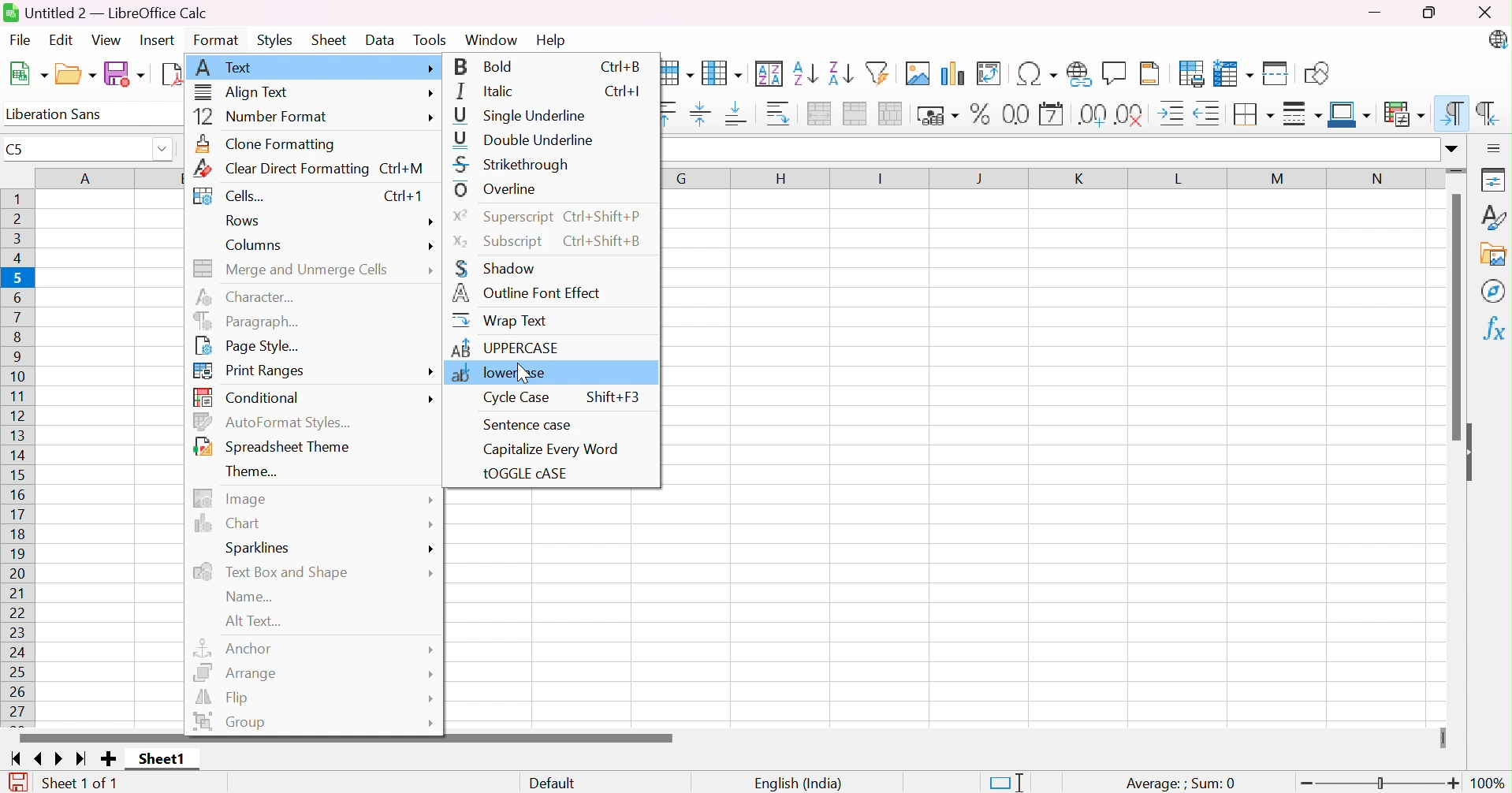 This screenshot has height=793, width=1512. What do you see at coordinates (257, 621) in the screenshot?
I see `Alt text...` at bounding box center [257, 621].